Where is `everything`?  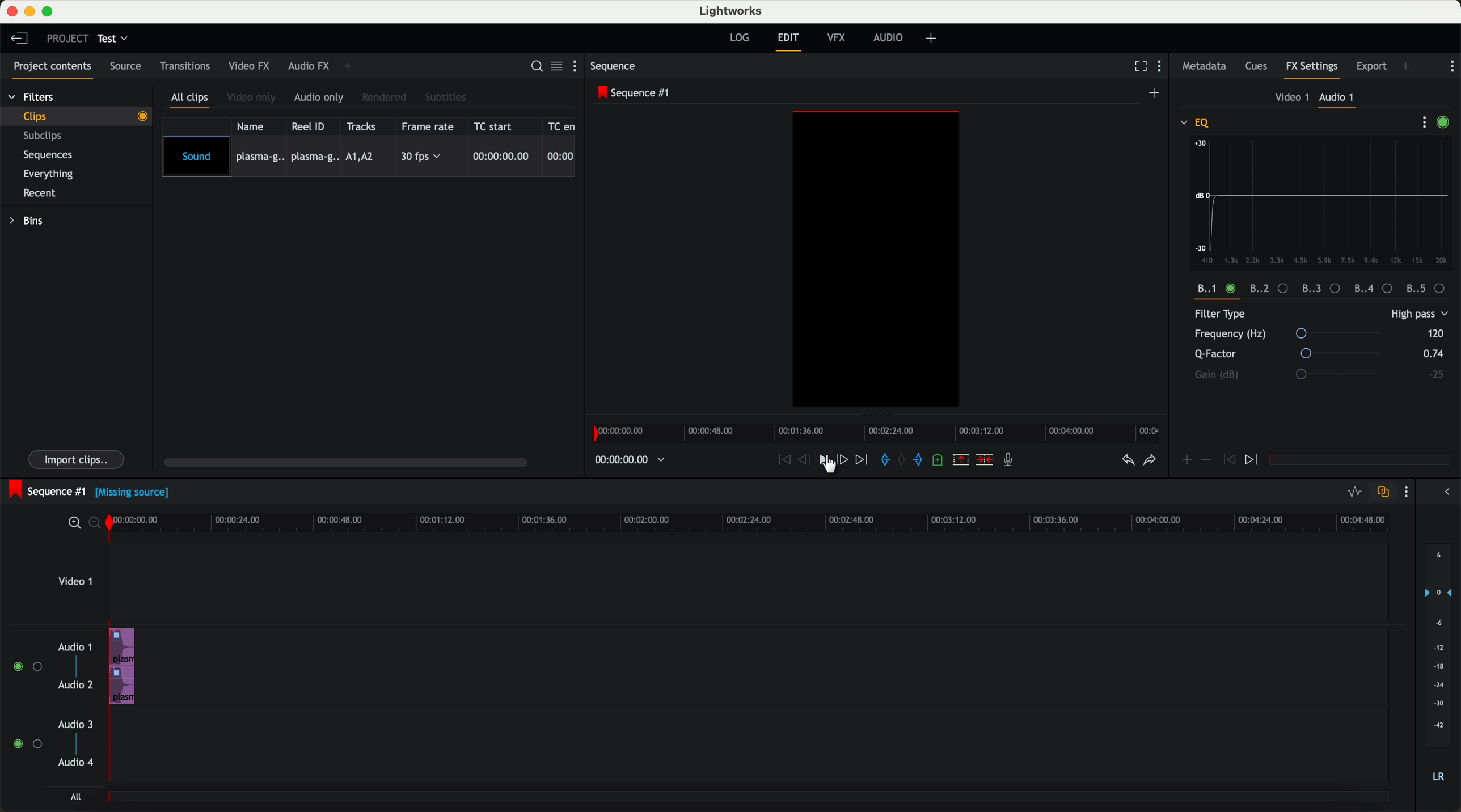 everything is located at coordinates (54, 173).